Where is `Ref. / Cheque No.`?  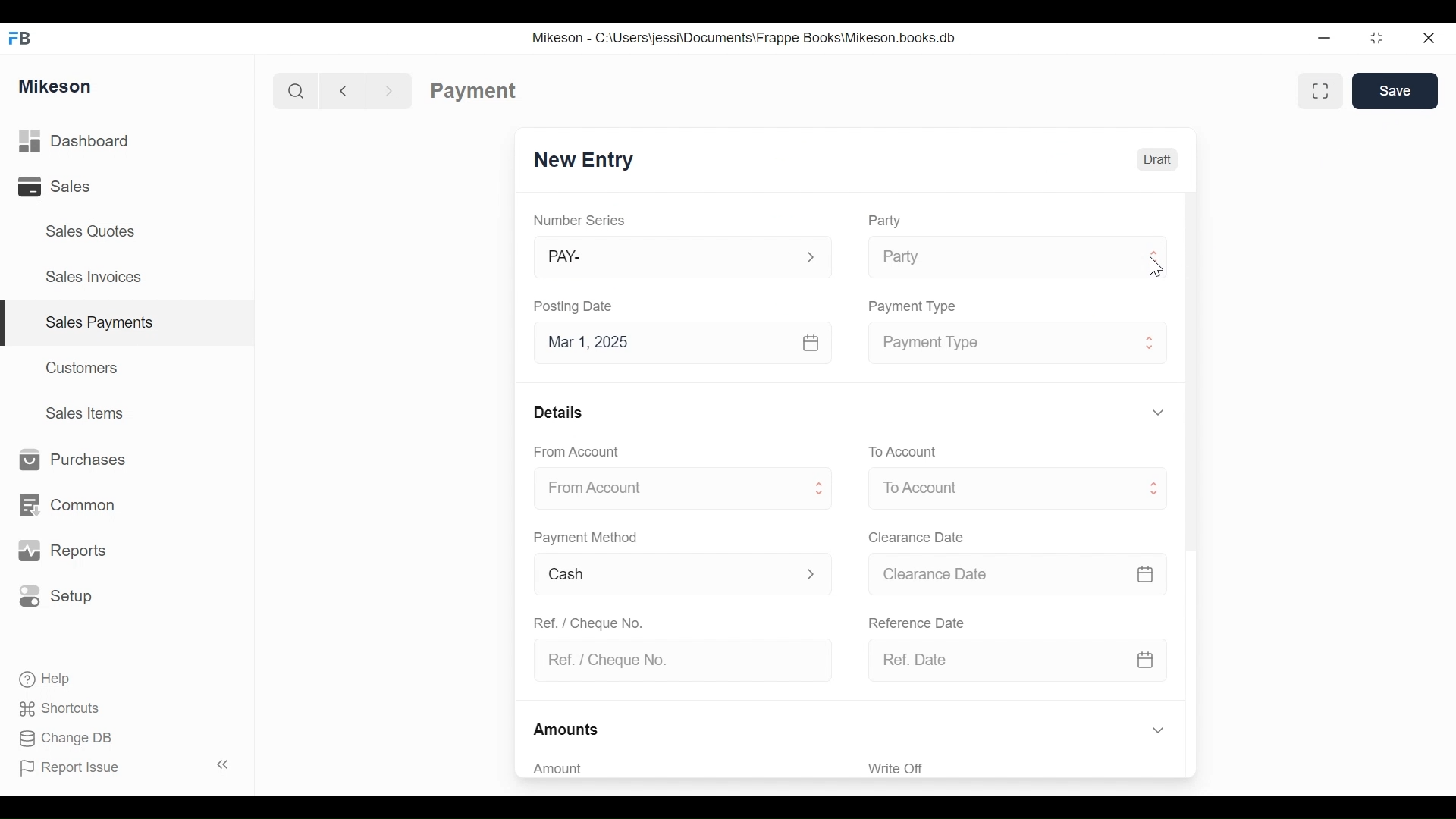 Ref. / Cheque No. is located at coordinates (595, 622).